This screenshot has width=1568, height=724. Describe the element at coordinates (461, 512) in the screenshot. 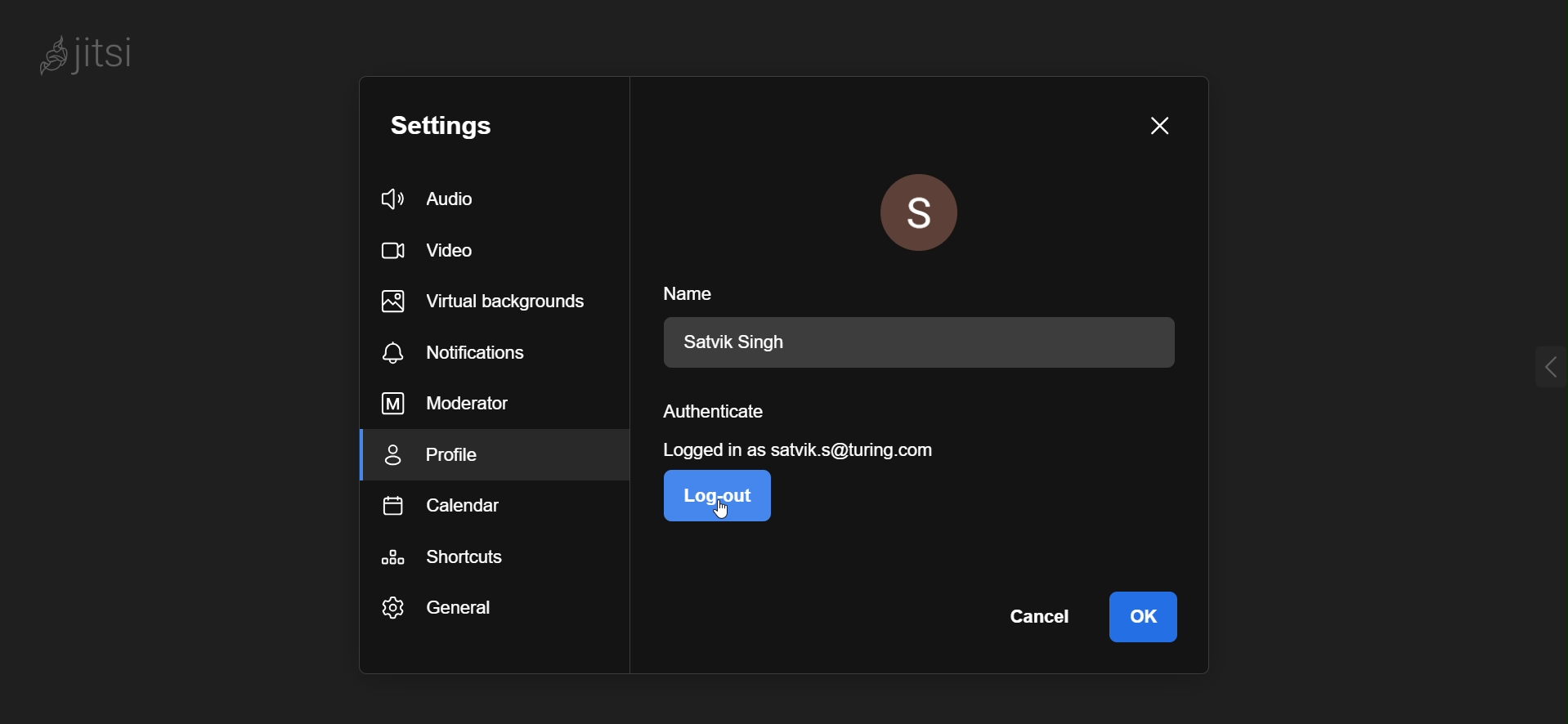

I see `calendar` at that location.